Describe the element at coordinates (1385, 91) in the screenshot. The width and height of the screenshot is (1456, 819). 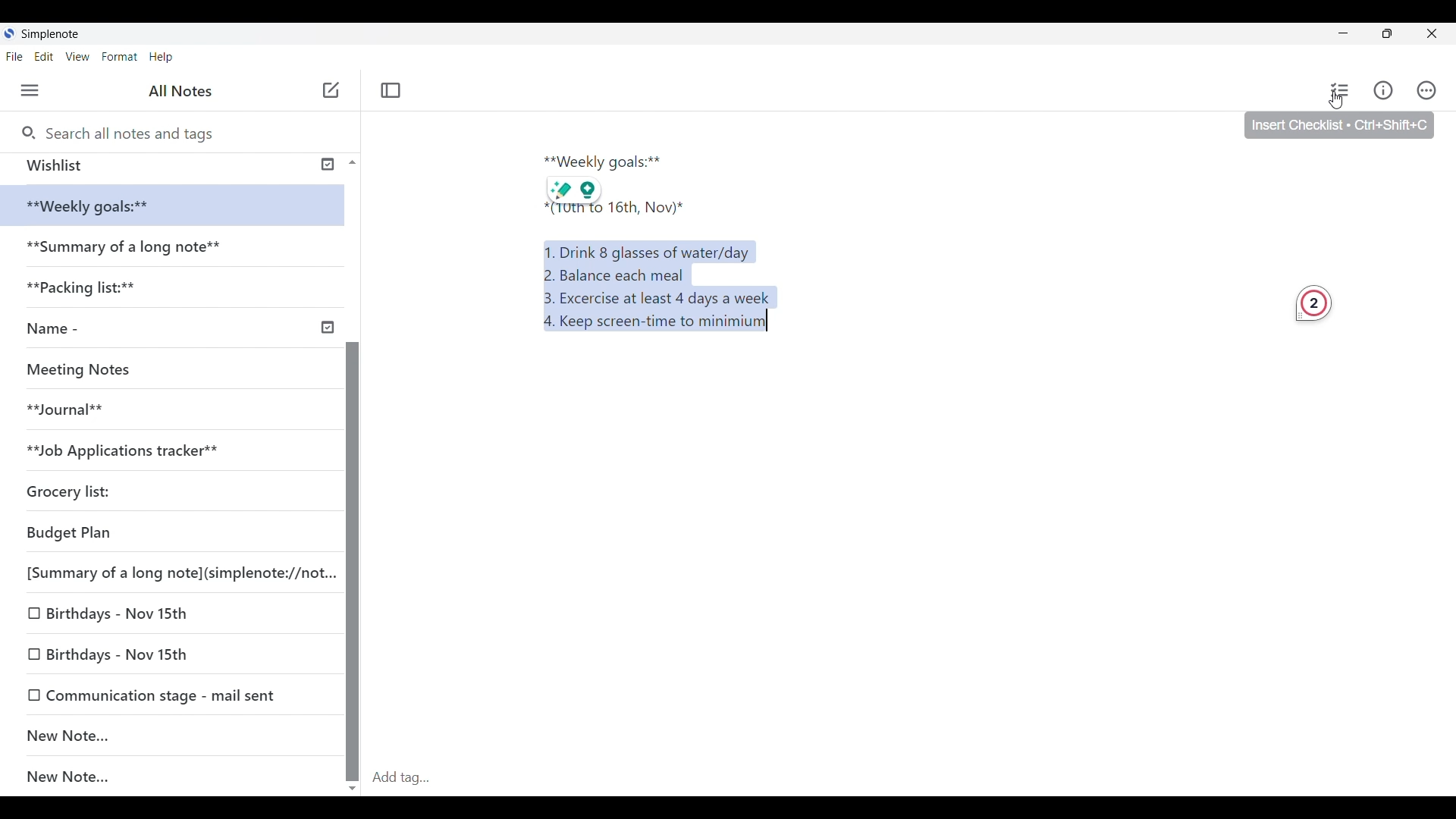
I see `Info` at that location.